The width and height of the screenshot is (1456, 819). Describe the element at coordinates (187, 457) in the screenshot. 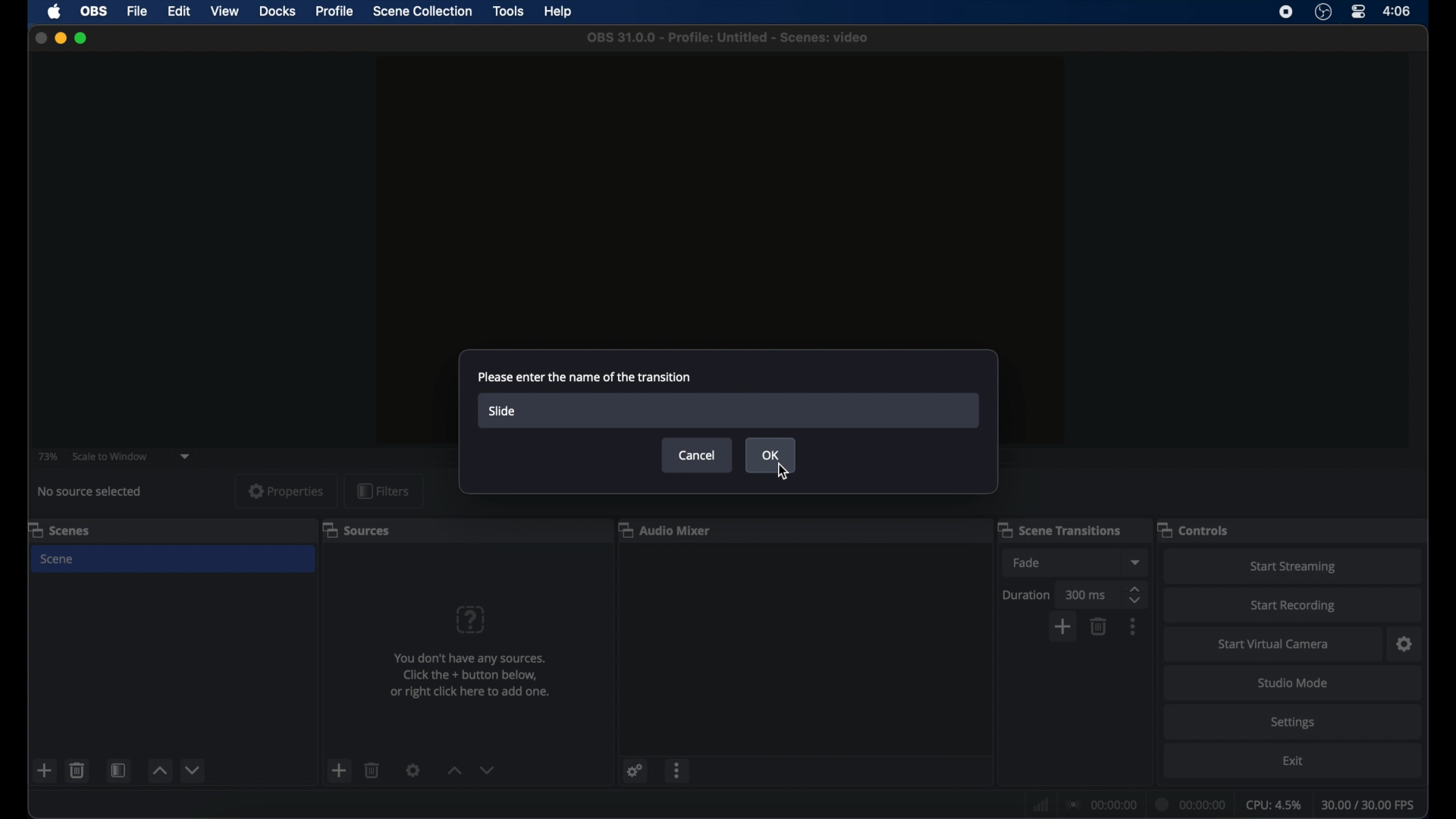

I see `dropdown` at that location.